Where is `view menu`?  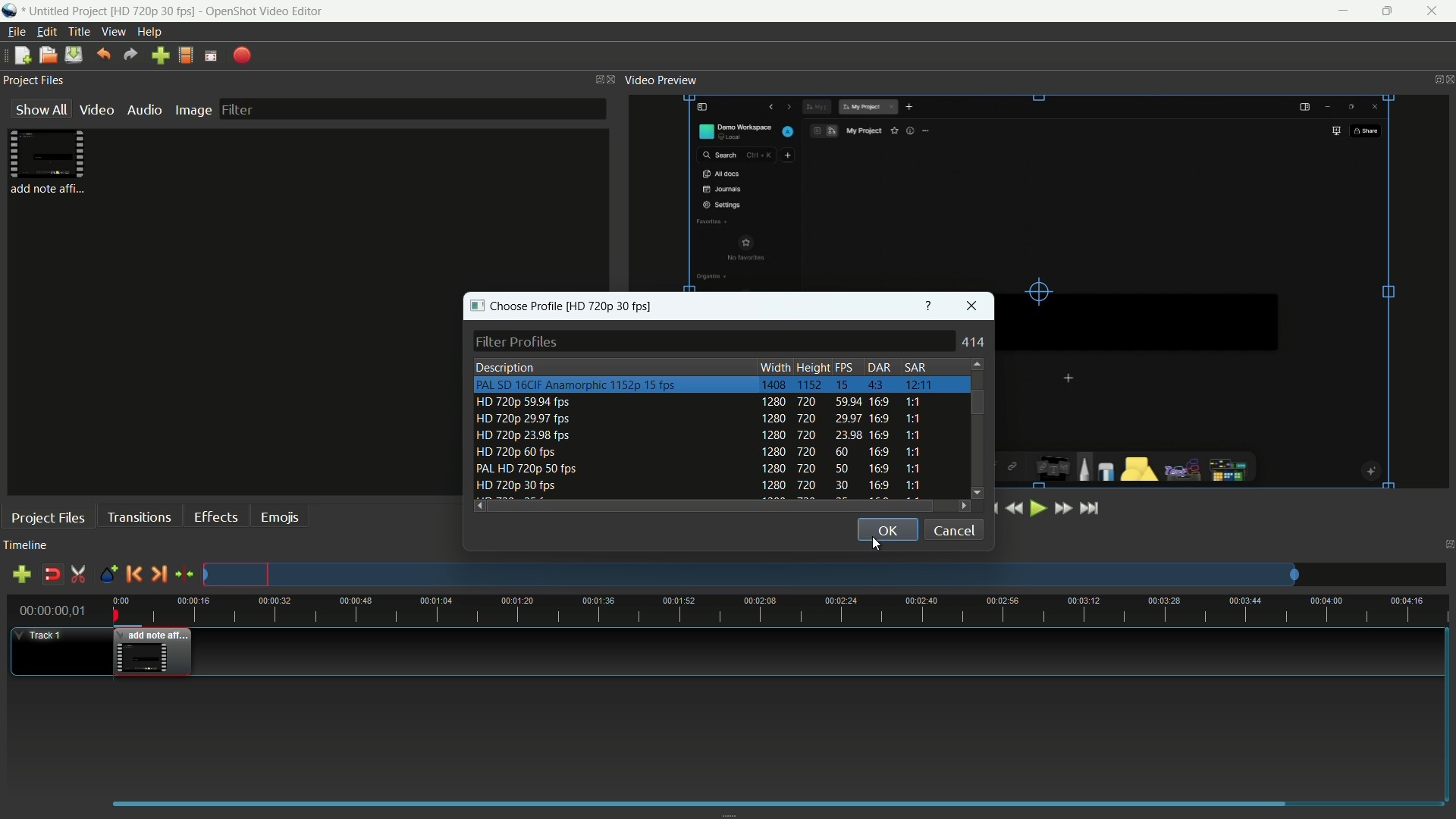 view menu is located at coordinates (113, 33).